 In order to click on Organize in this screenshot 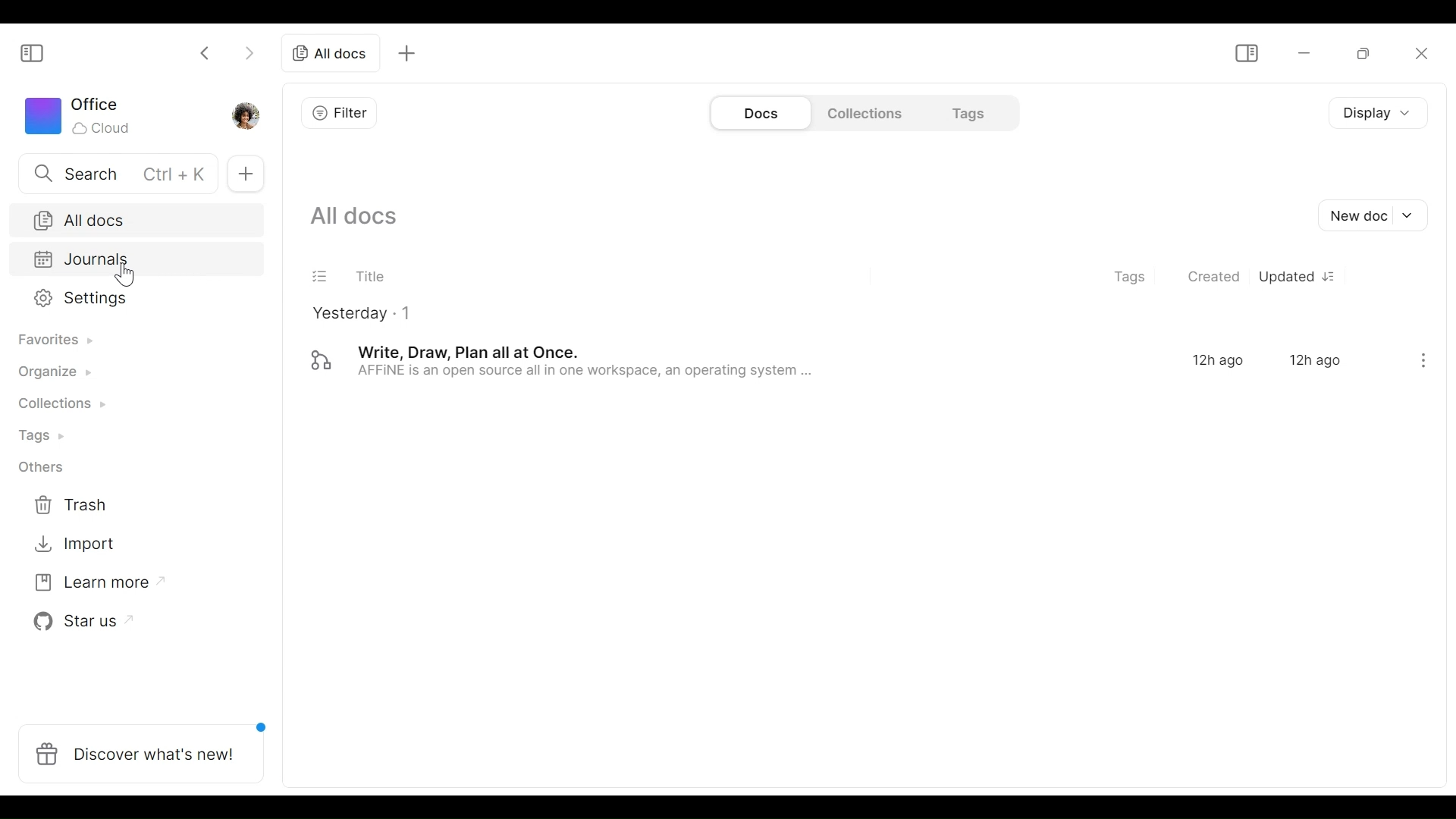, I will do `click(53, 373)`.